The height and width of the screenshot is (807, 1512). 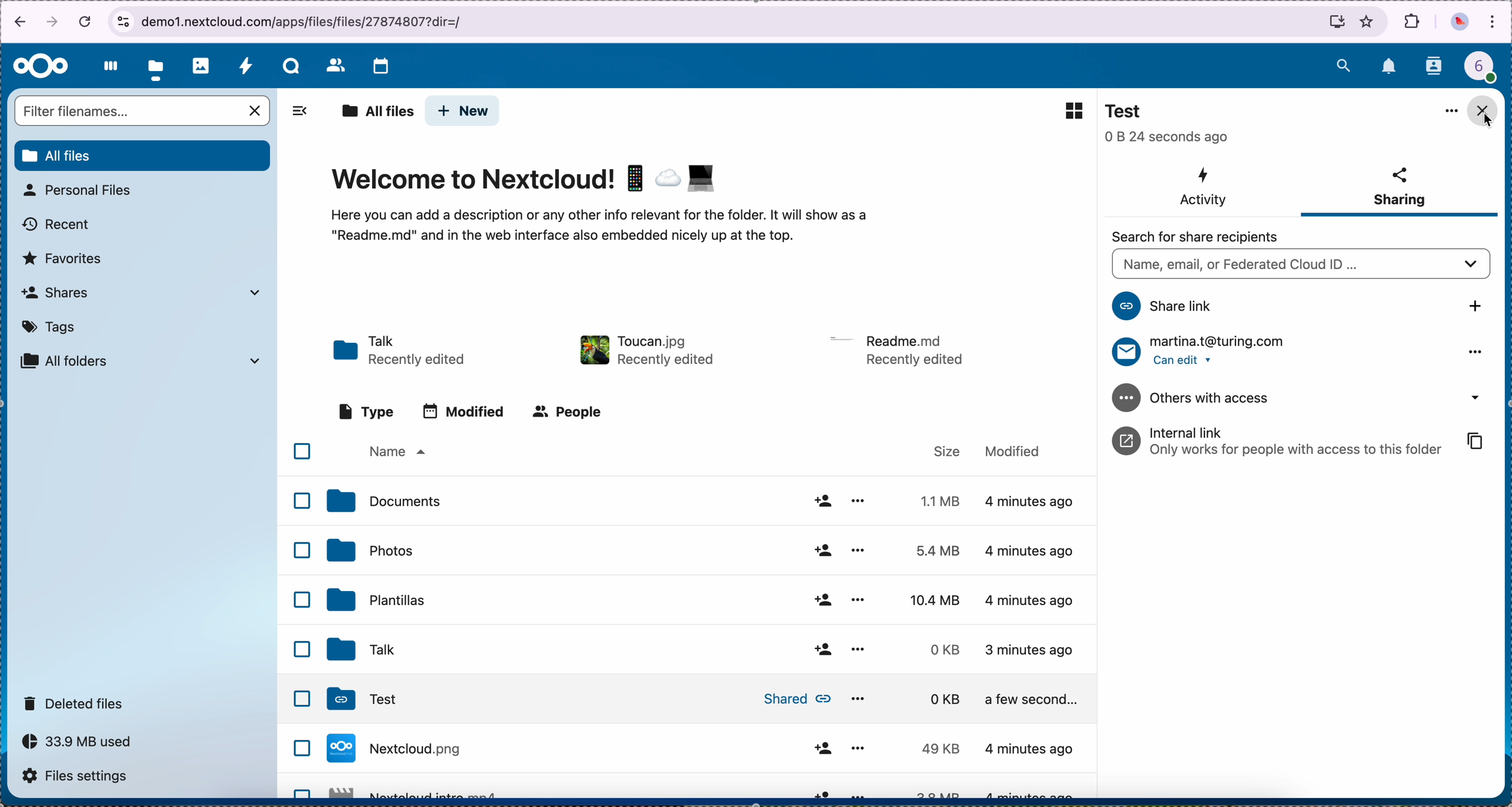 I want to click on sharing, so click(x=1399, y=190).